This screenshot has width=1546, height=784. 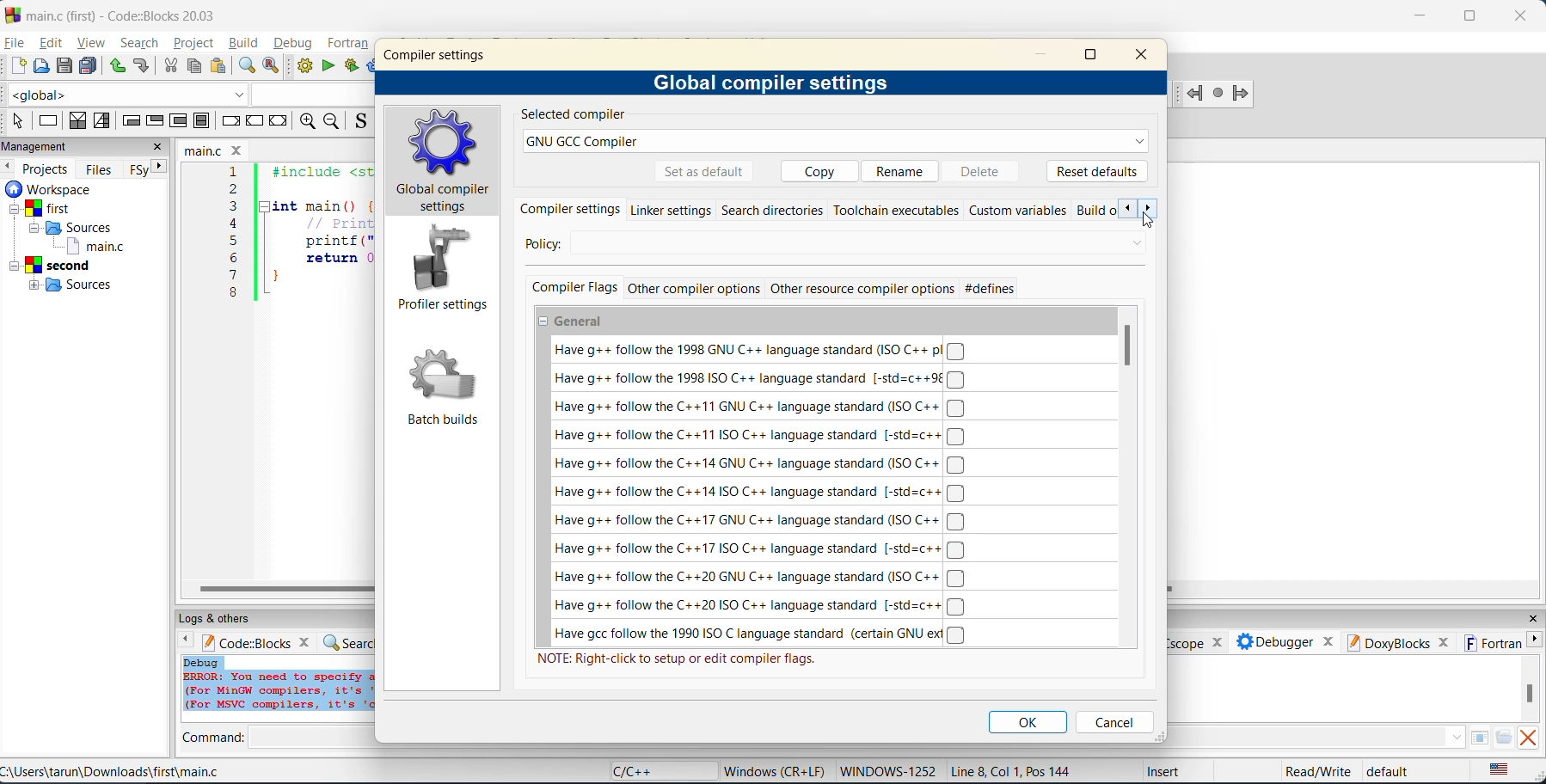 What do you see at coordinates (759, 491) in the screenshot?
I see `Have g++ follow the C++14 ISO C++ language standard [-std=c+` at bounding box center [759, 491].